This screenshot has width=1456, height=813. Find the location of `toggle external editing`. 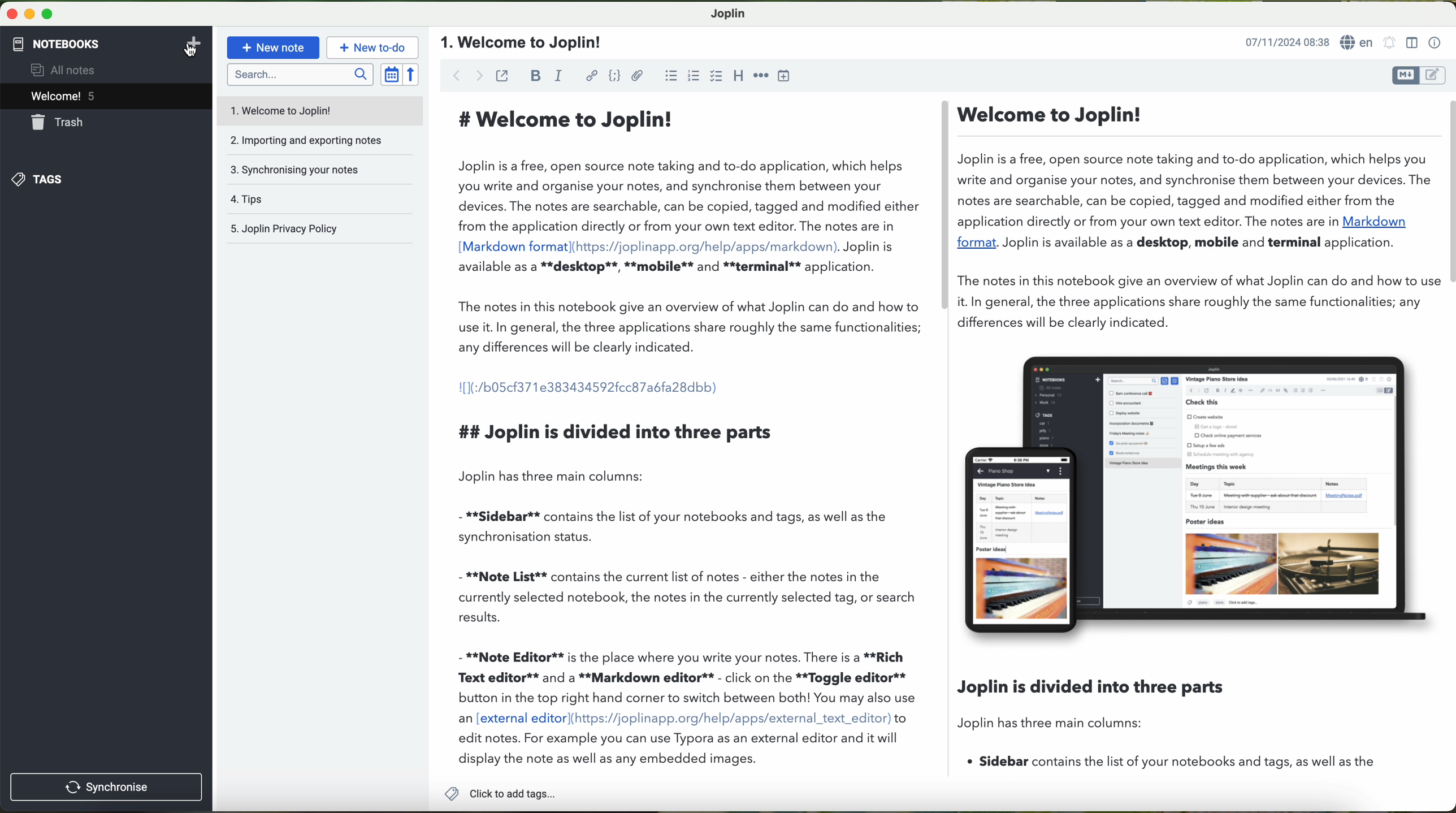

toggle external editing is located at coordinates (501, 75).